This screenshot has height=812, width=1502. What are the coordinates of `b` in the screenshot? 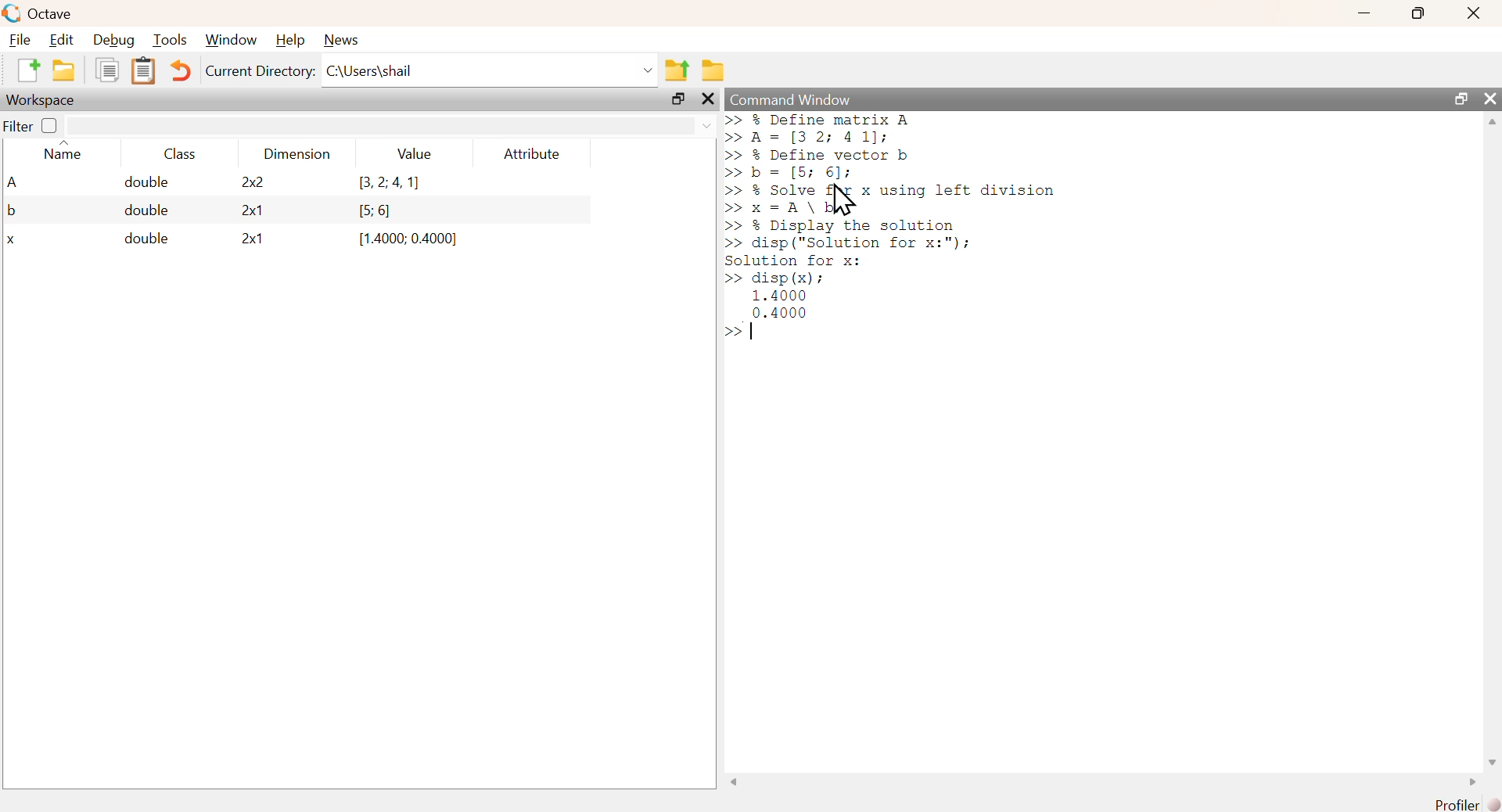 It's located at (13, 211).